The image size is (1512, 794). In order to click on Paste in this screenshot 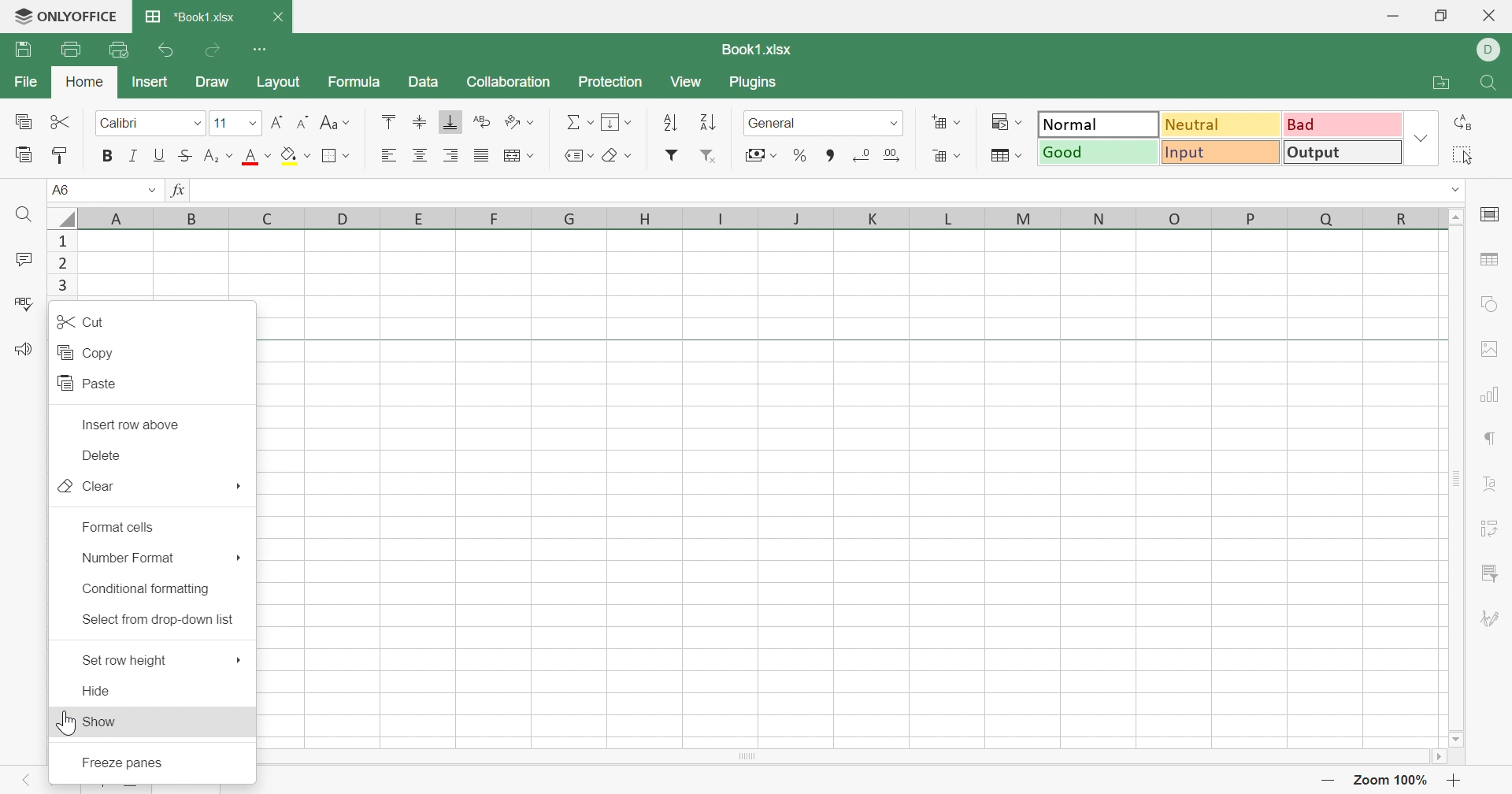, I will do `click(24, 155)`.